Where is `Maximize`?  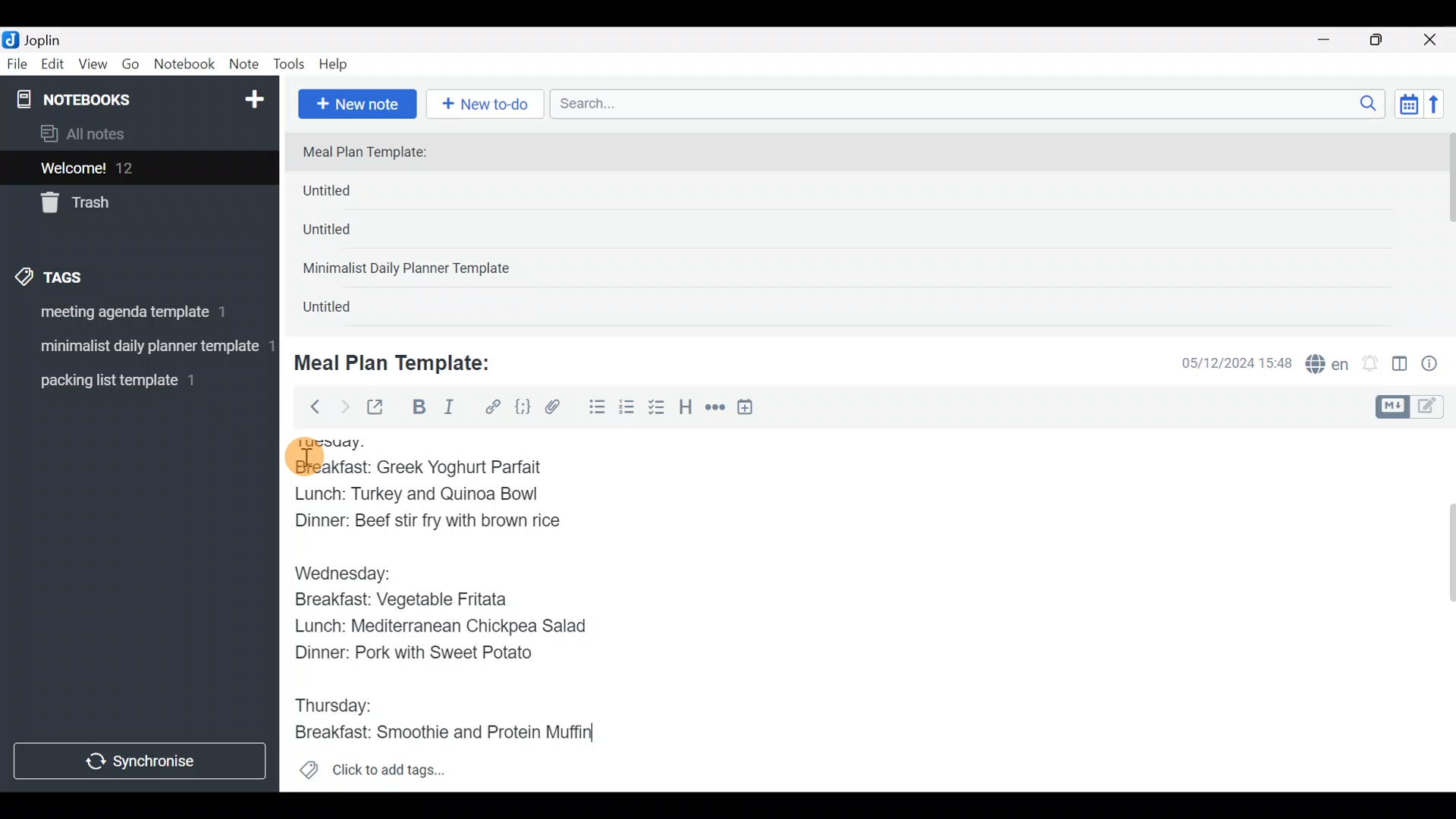 Maximize is located at coordinates (1385, 40).